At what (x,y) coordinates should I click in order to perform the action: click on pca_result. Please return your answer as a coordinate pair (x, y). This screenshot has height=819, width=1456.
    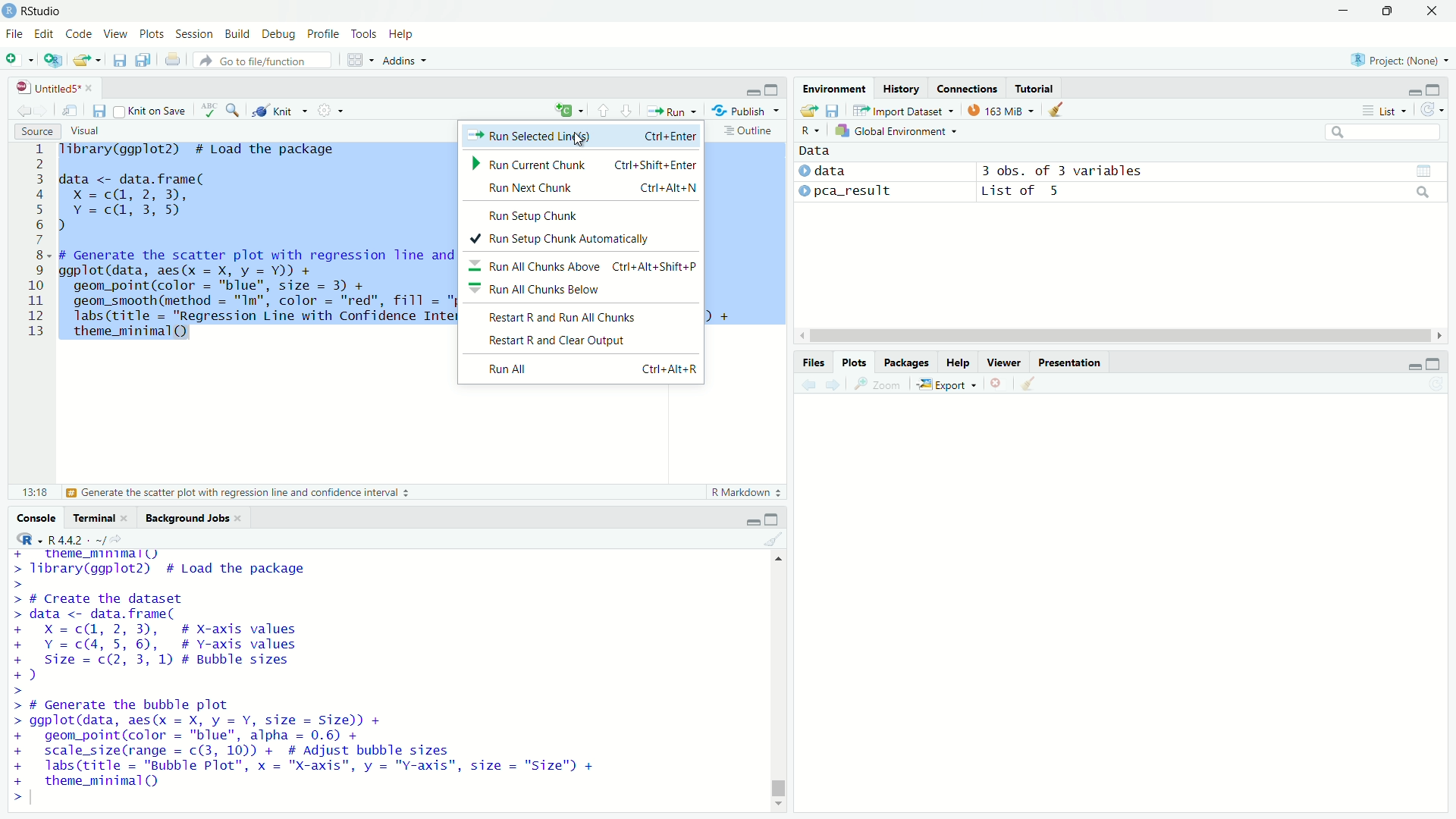
    Looking at the image, I should click on (855, 191).